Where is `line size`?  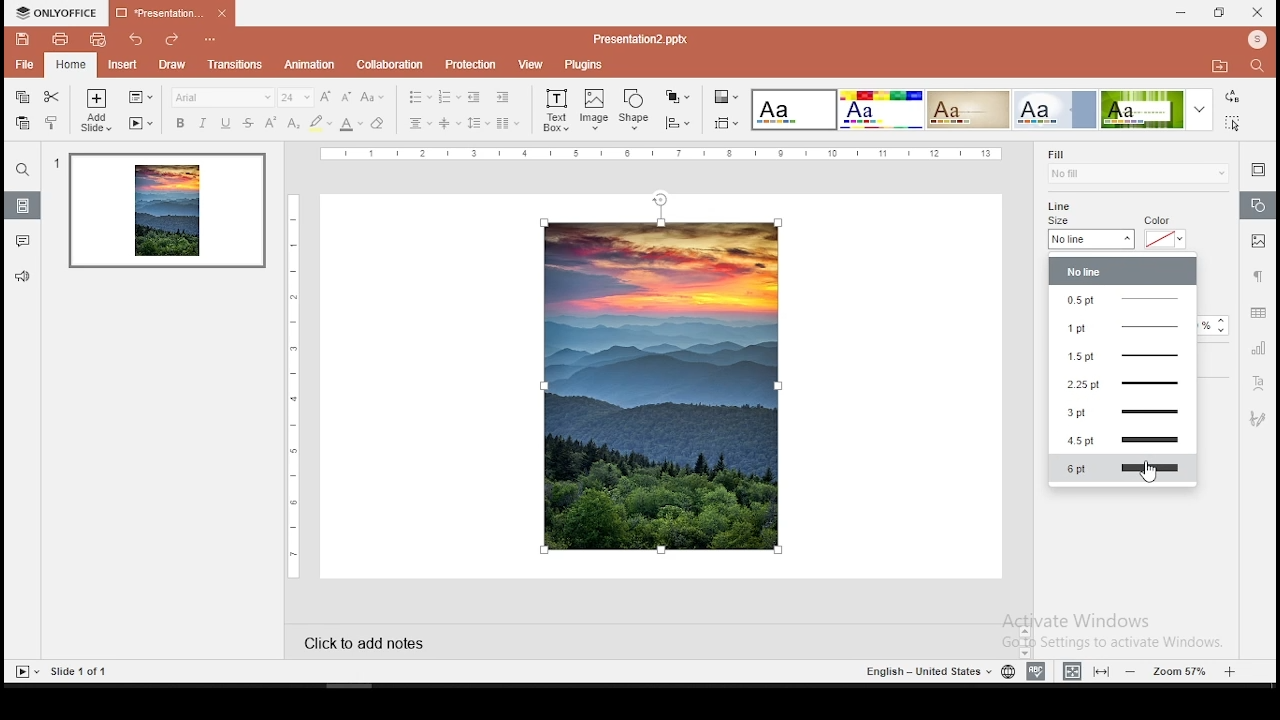
line size is located at coordinates (1093, 234).